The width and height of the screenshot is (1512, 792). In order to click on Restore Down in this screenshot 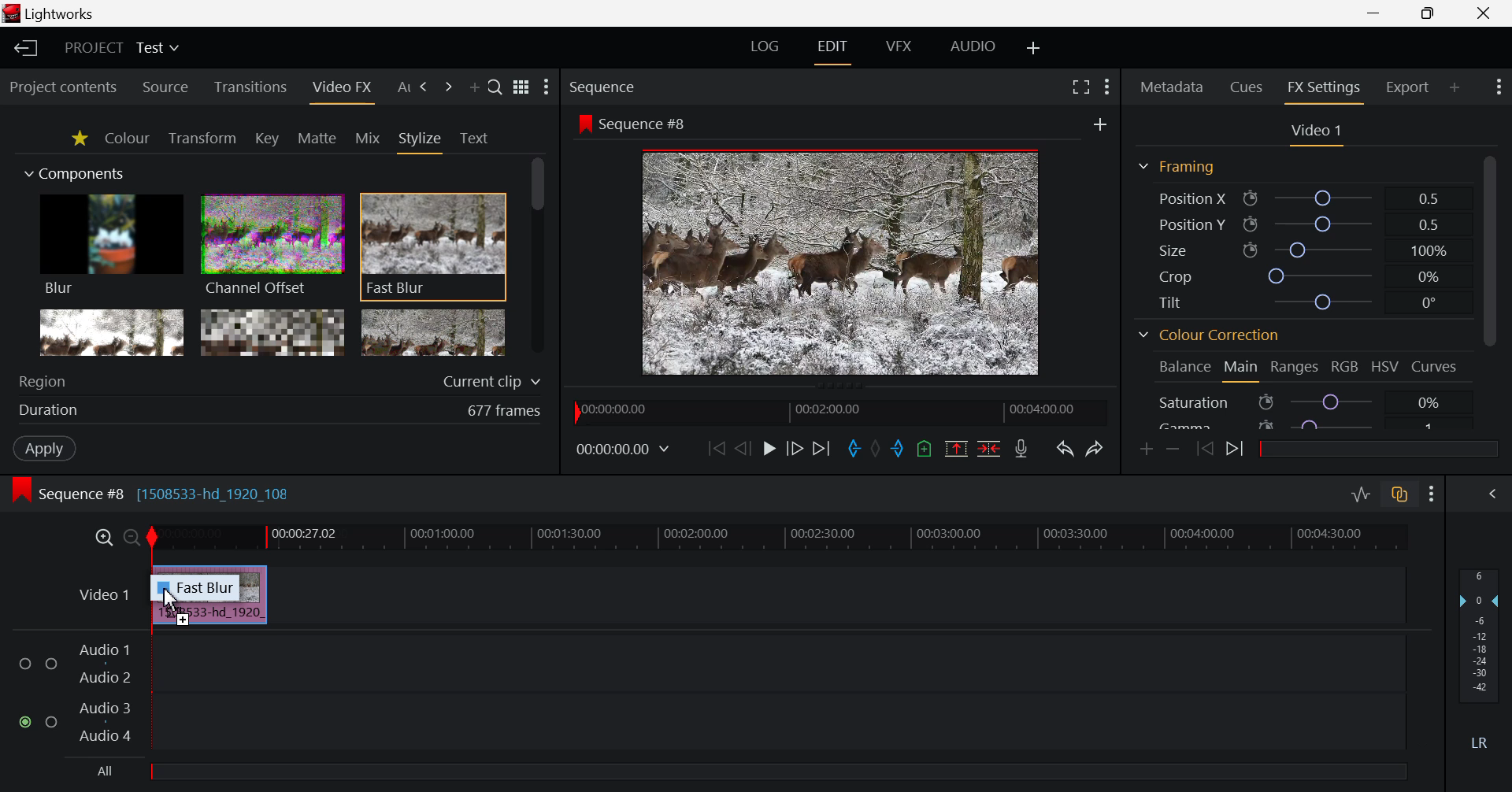, I will do `click(1379, 13)`.